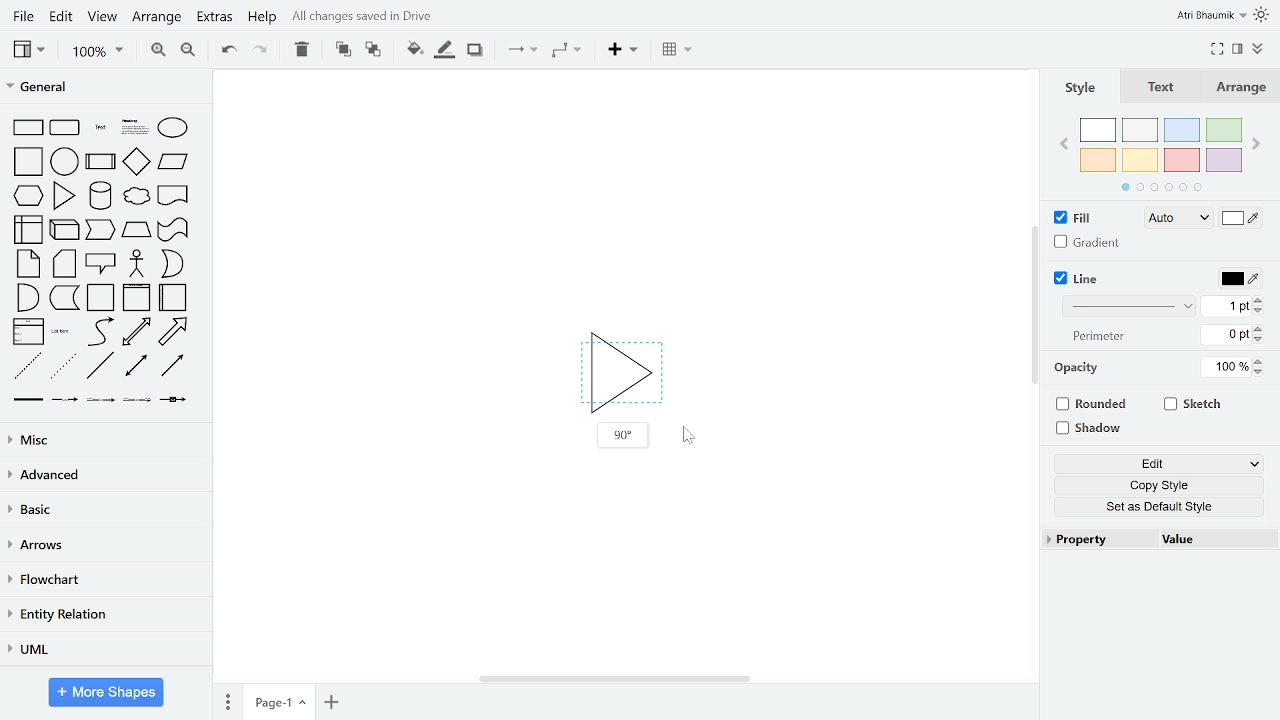  Describe the element at coordinates (25, 128) in the screenshot. I see `rectangle` at that location.